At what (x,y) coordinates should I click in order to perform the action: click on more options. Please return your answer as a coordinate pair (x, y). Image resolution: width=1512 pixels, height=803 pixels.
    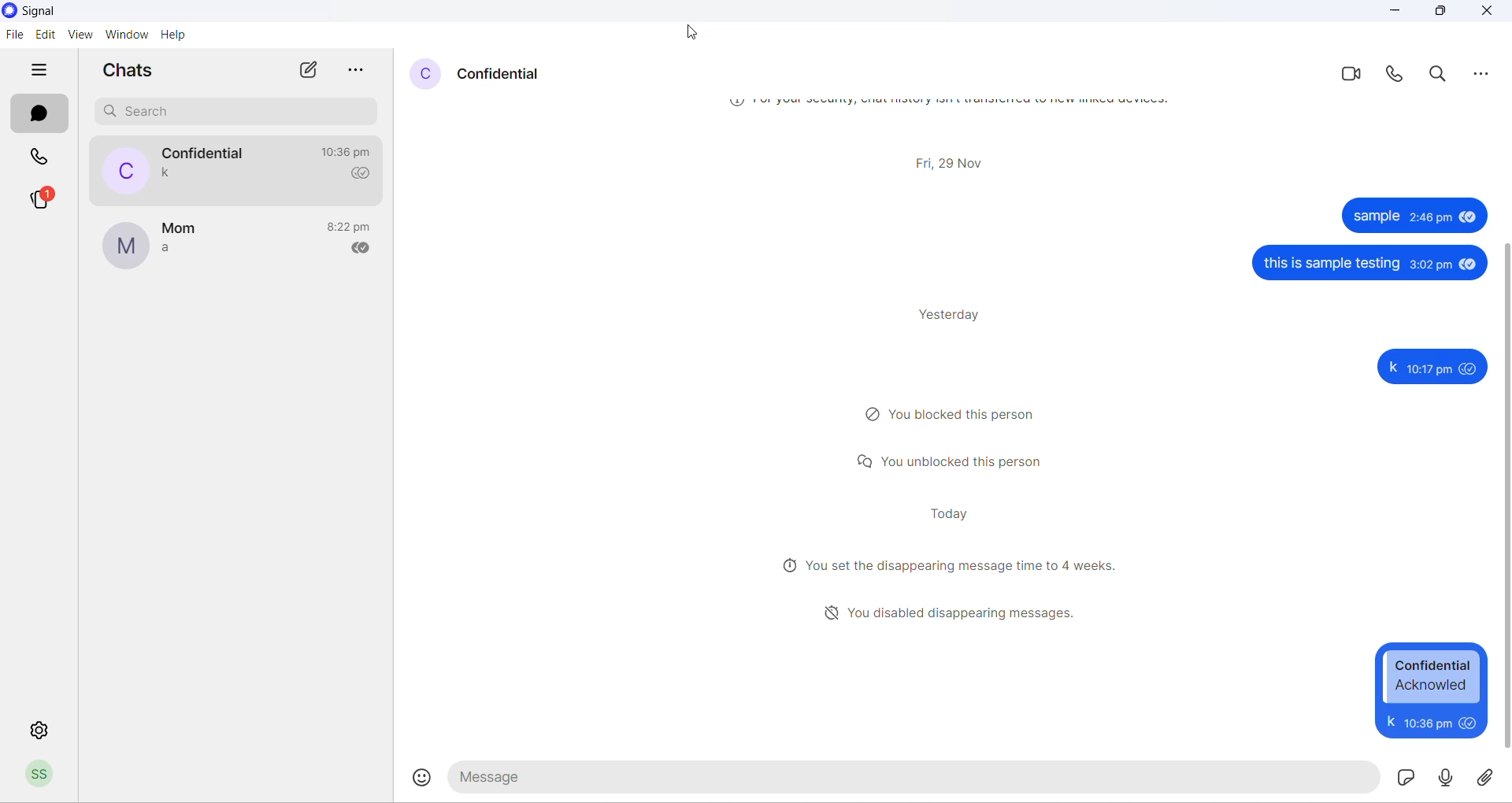
    Looking at the image, I should click on (355, 69).